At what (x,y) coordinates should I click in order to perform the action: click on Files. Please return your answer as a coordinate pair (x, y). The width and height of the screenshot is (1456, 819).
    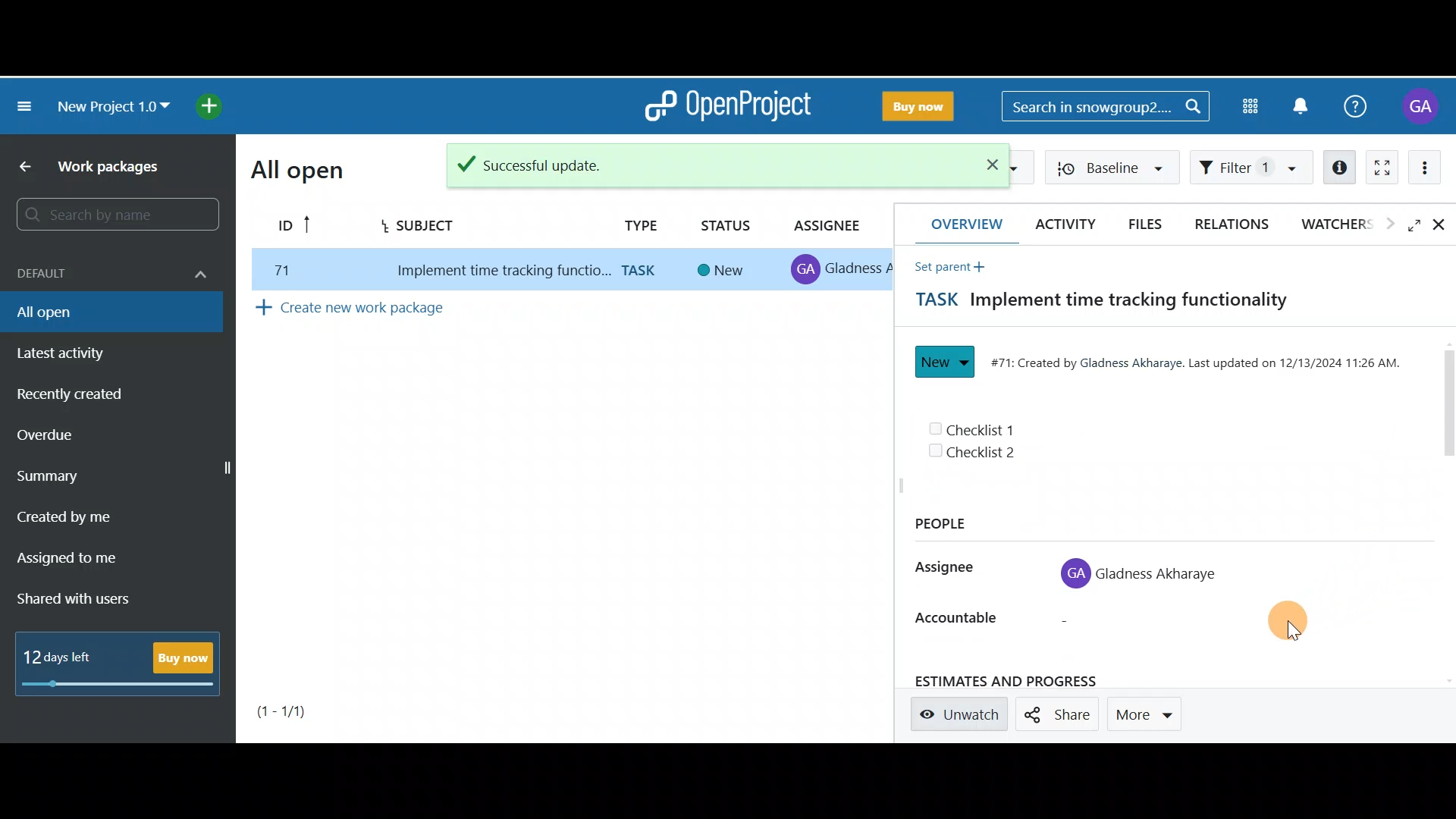
    Looking at the image, I should click on (1150, 224).